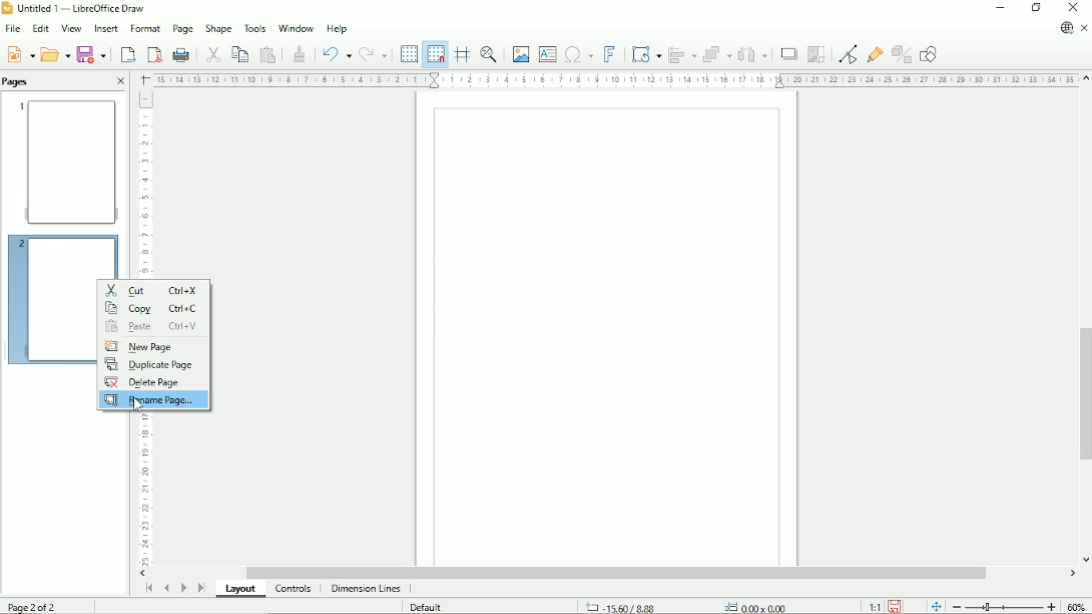 The width and height of the screenshot is (1092, 614). I want to click on Copy, so click(150, 309).